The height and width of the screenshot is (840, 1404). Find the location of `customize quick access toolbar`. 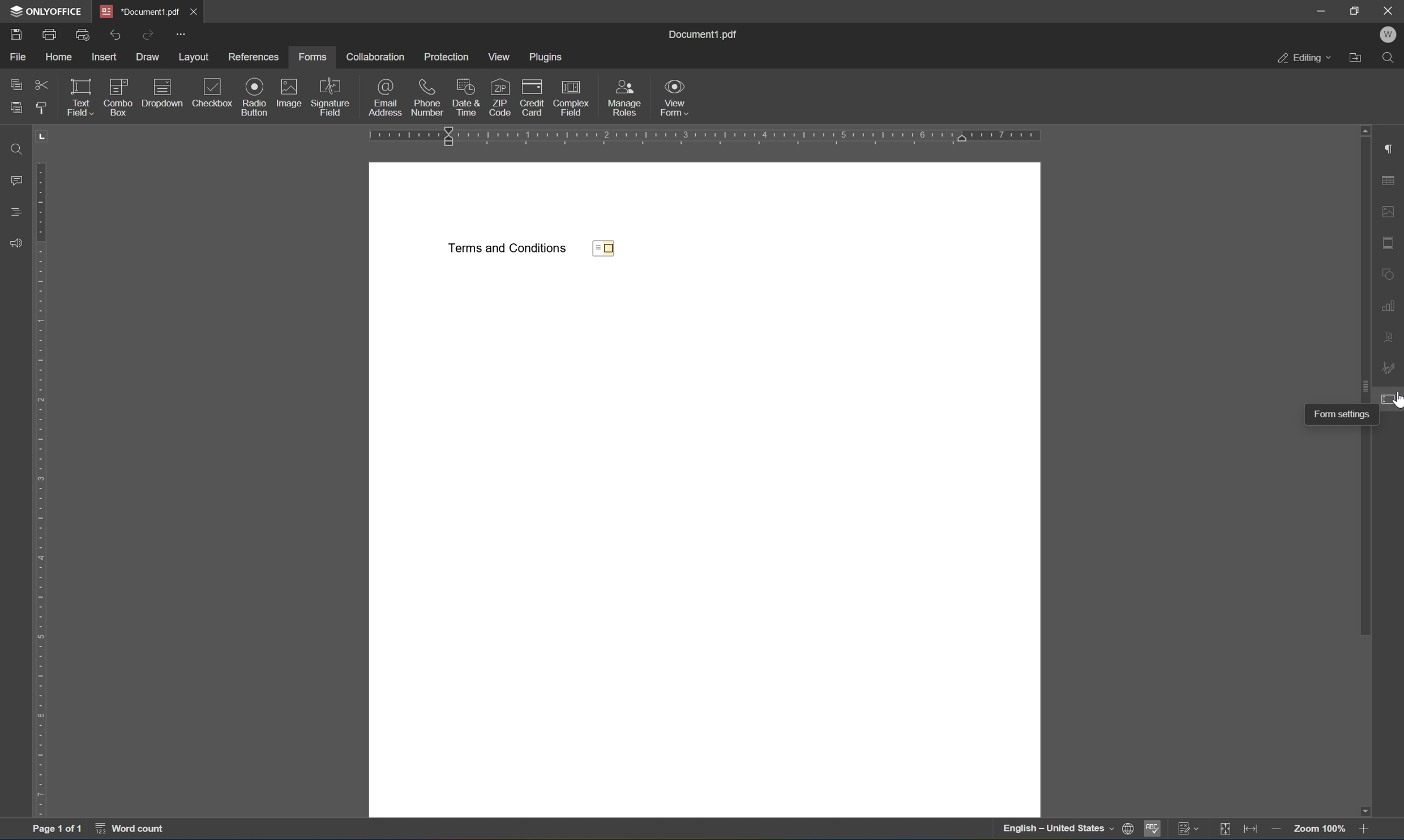

customize quick access toolbar is located at coordinates (181, 33).